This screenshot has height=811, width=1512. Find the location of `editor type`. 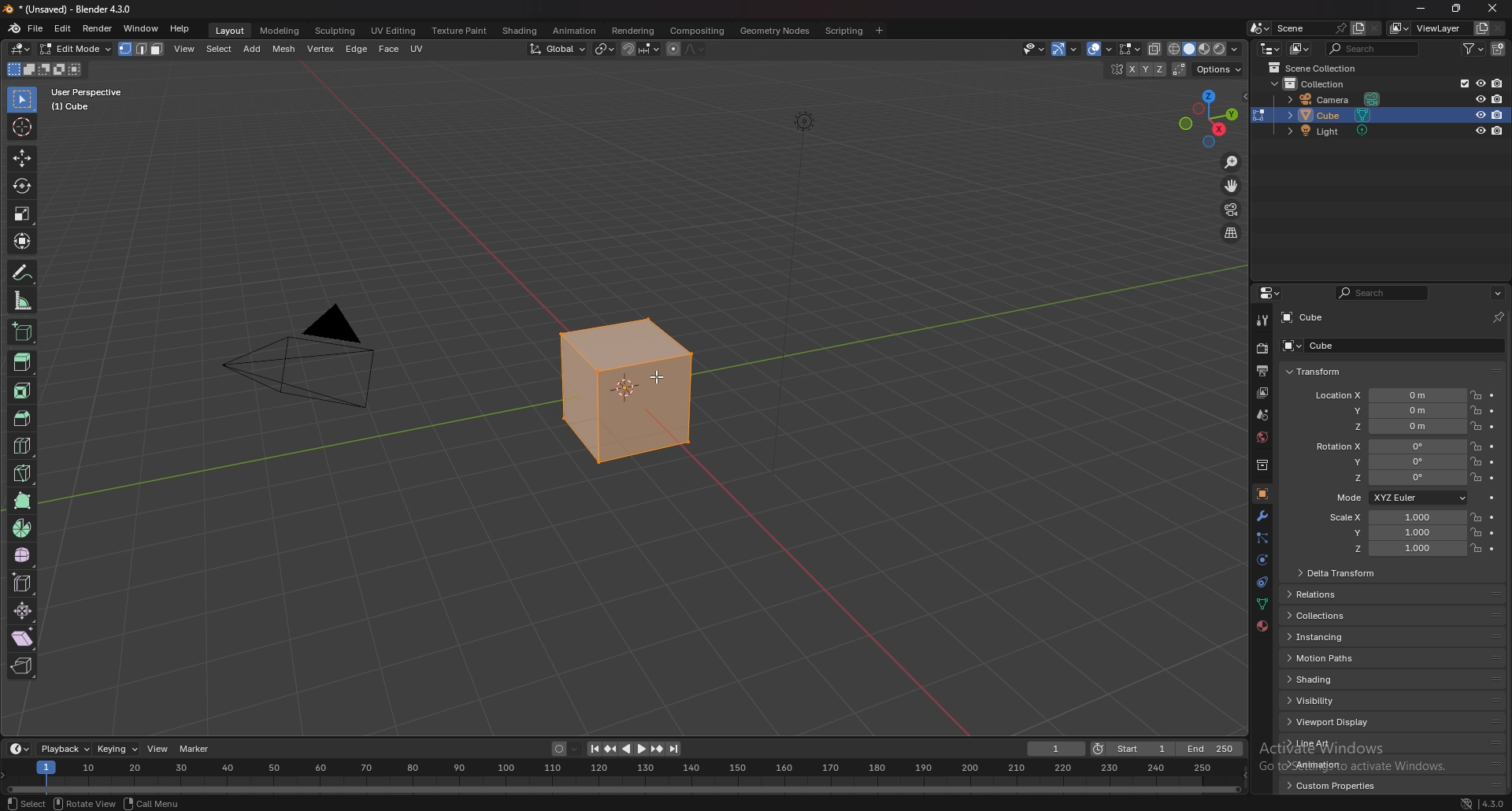

editor type is located at coordinates (19, 749).